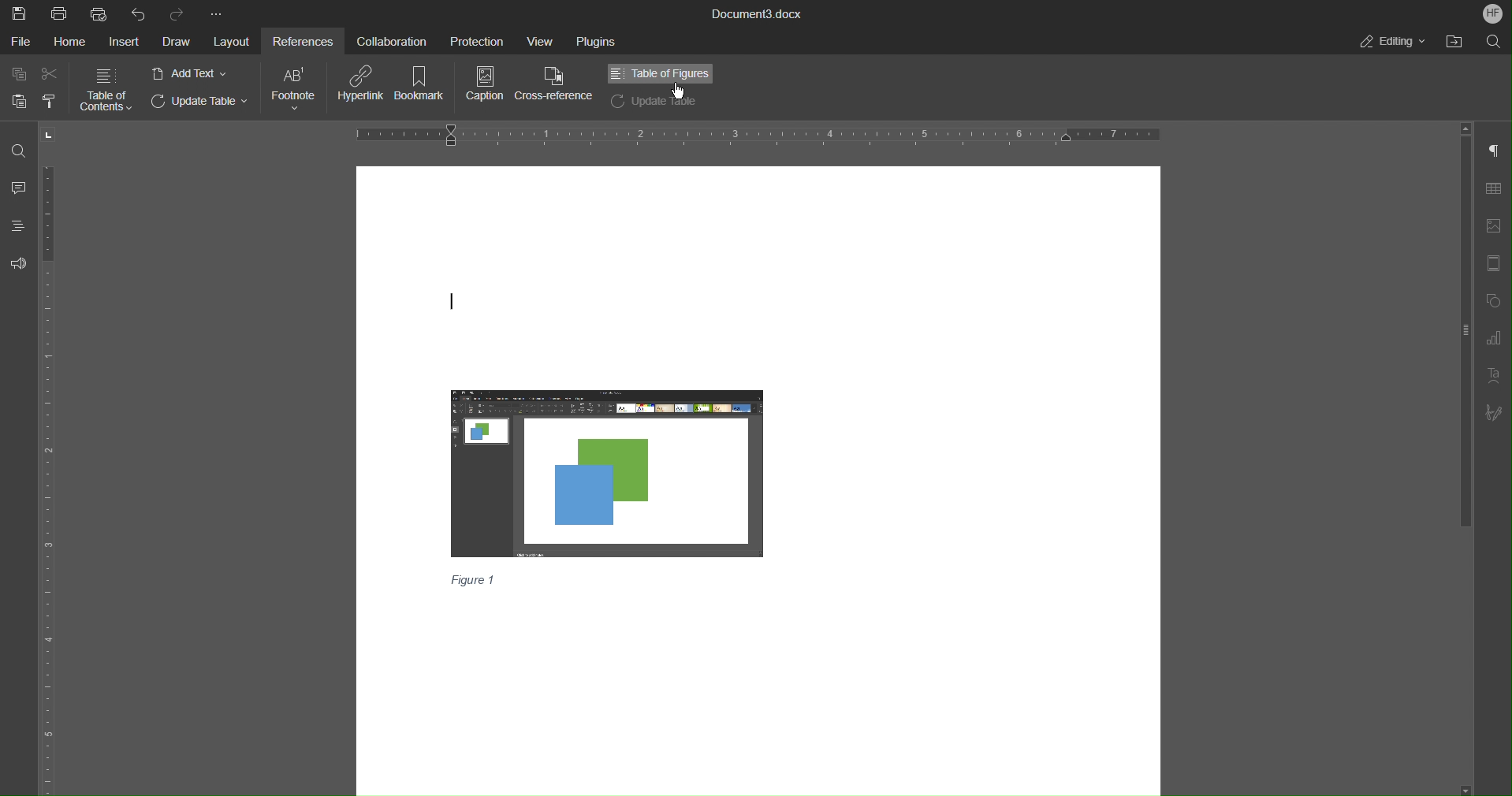 The width and height of the screenshot is (1512, 796). Describe the element at coordinates (191, 73) in the screenshot. I see `Add Text` at that location.